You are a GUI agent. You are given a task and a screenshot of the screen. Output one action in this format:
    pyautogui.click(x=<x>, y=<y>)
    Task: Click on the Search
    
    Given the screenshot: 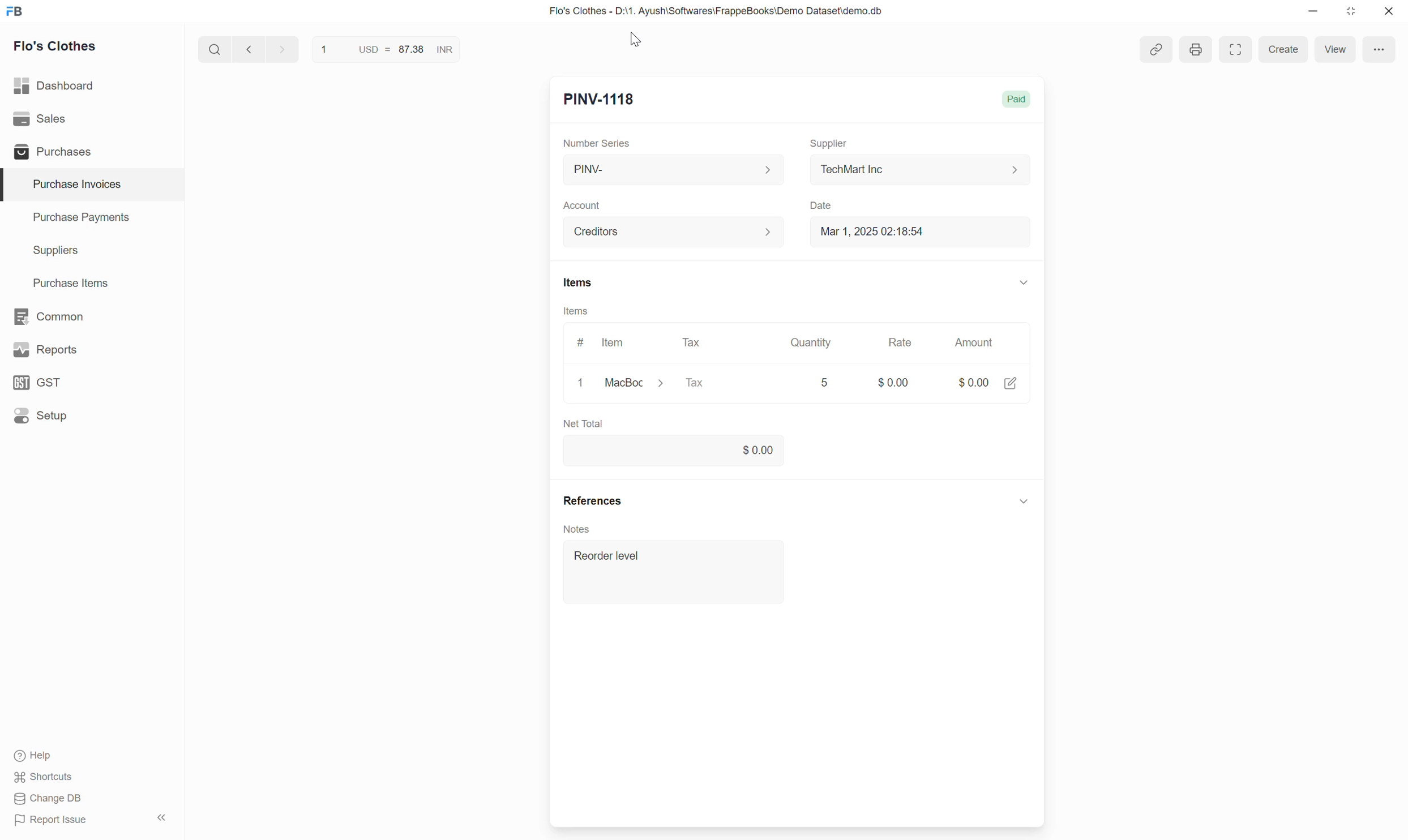 What is the action you would take?
    pyautogui.click(x=215, y=49)
    